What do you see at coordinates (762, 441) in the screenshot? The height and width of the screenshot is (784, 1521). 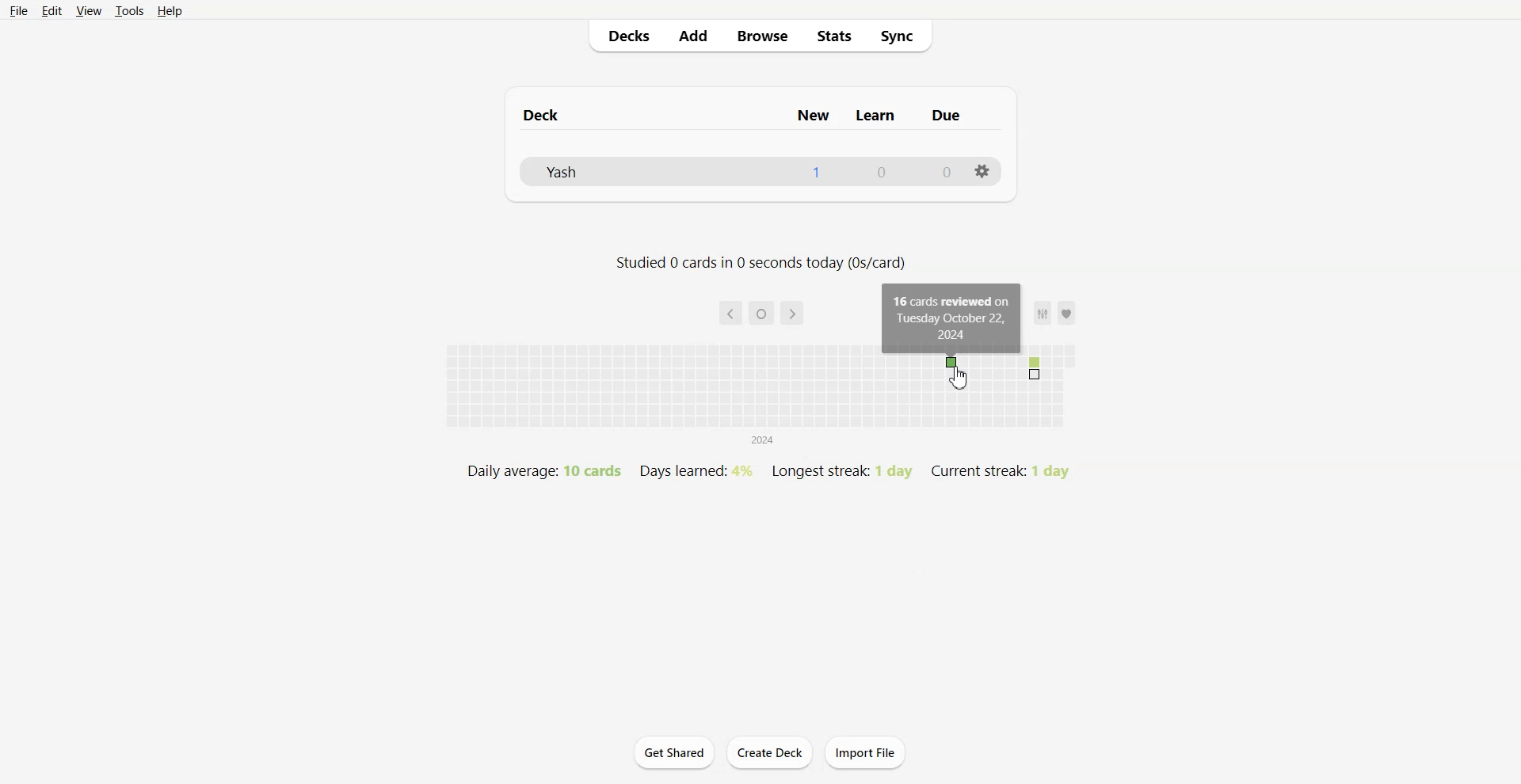 I see `2024` at bounding box center [762, 441].